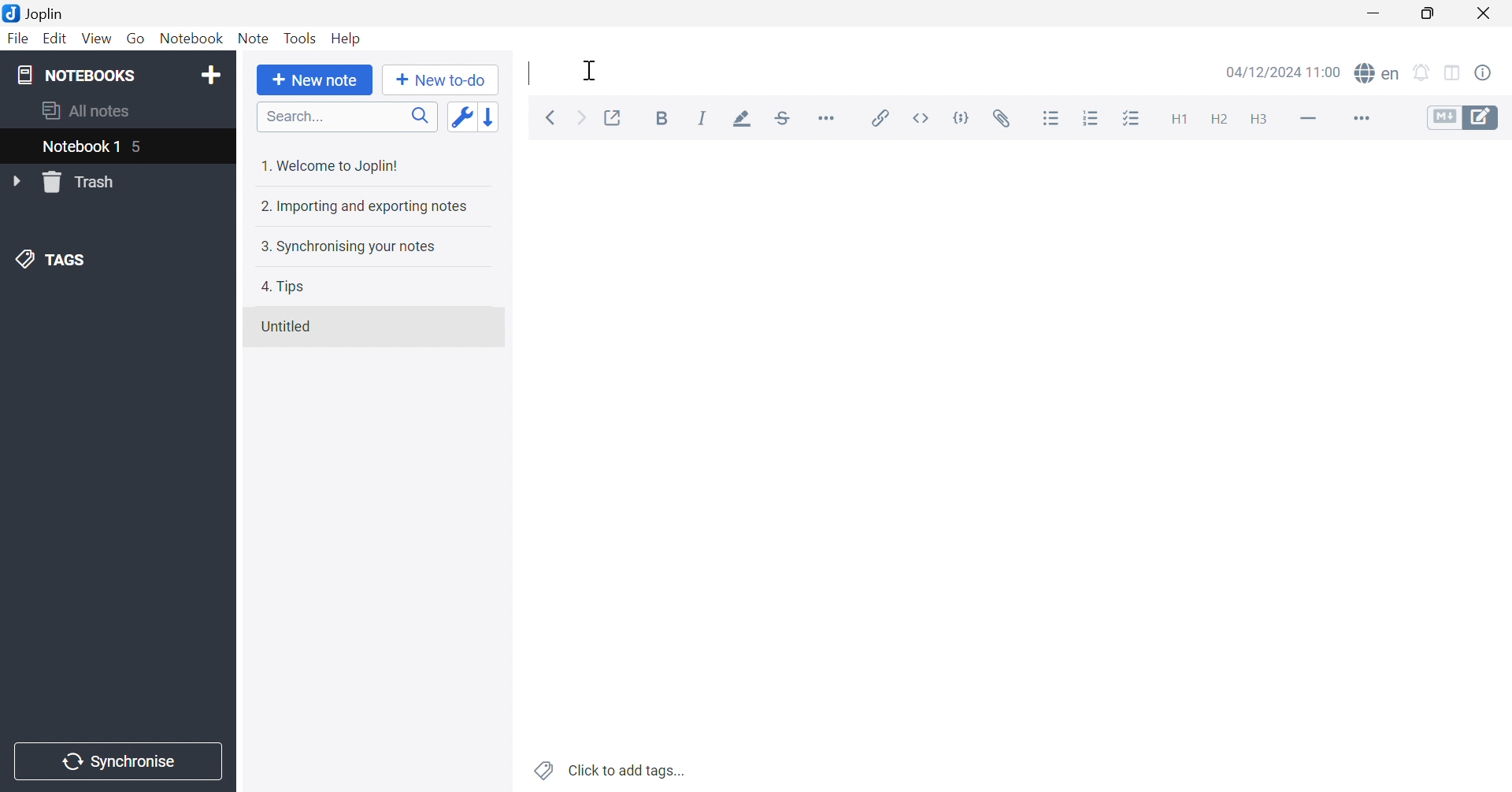 This screenshot has width=1512, height=792. Describe the element at coordinates (1130, 122) in the screenshot. I see `Checkbox list` at that location.